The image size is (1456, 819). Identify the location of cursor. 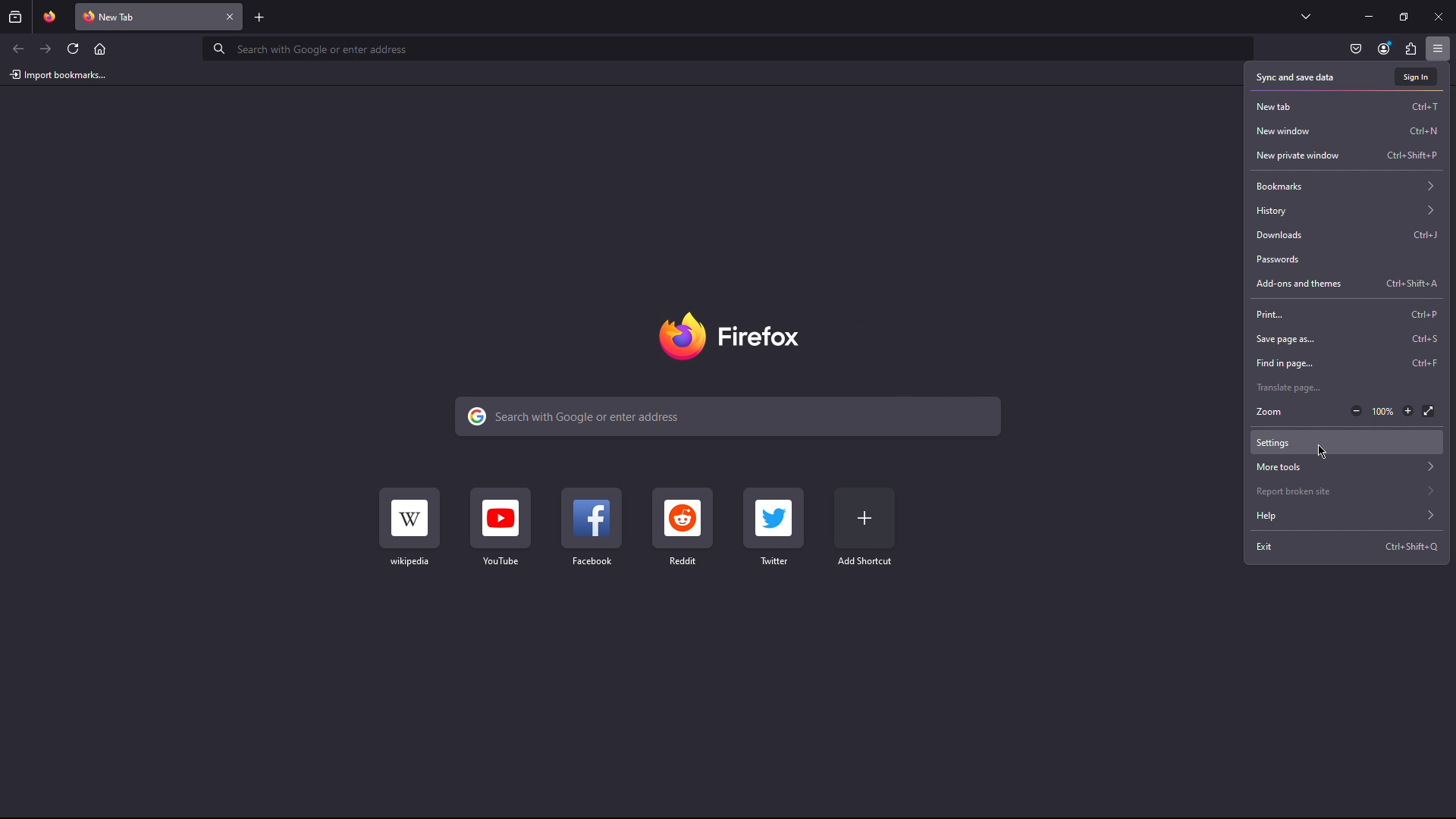
(1323, 452).